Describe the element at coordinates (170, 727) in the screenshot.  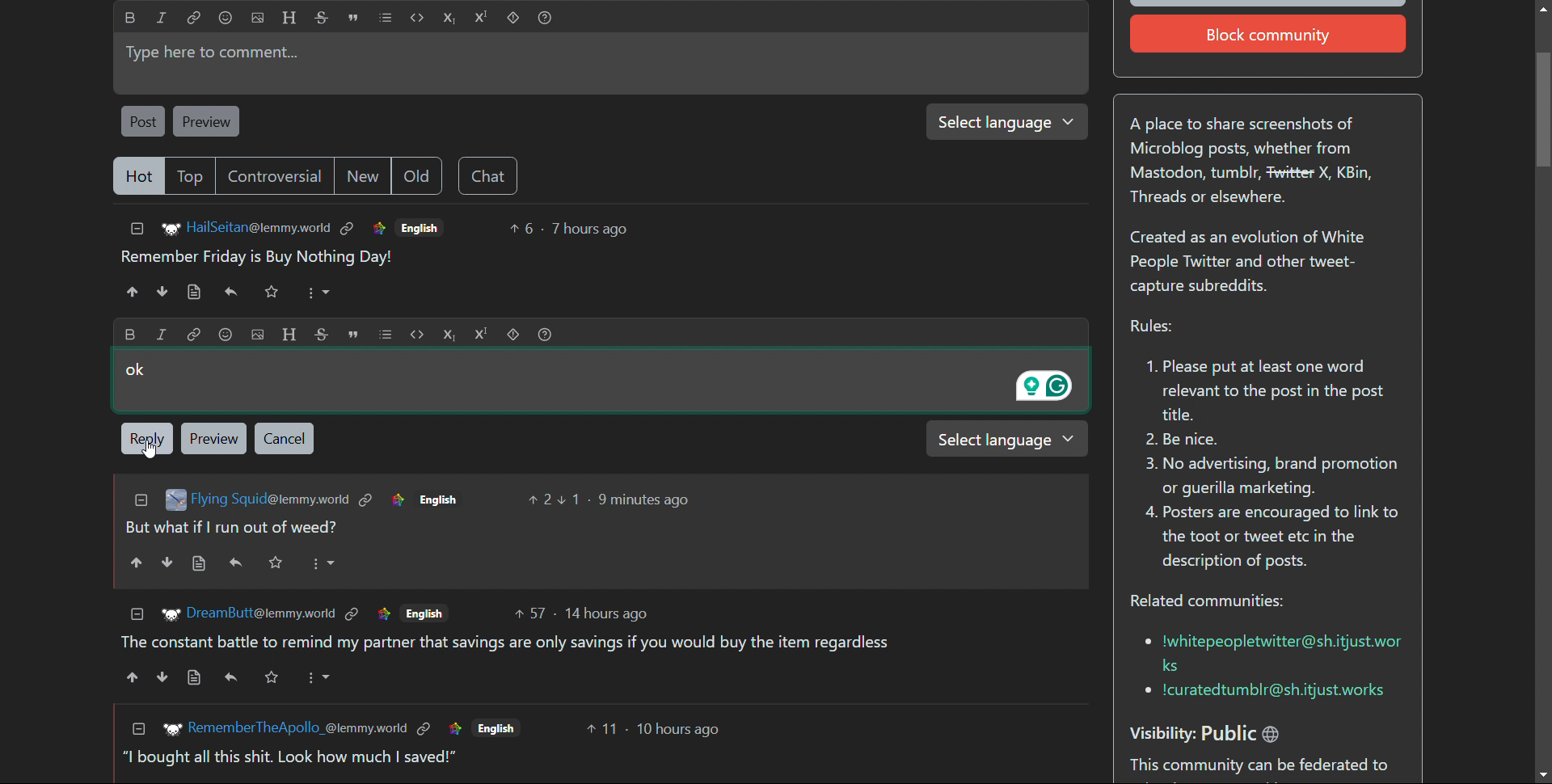
I see `image` at that location.